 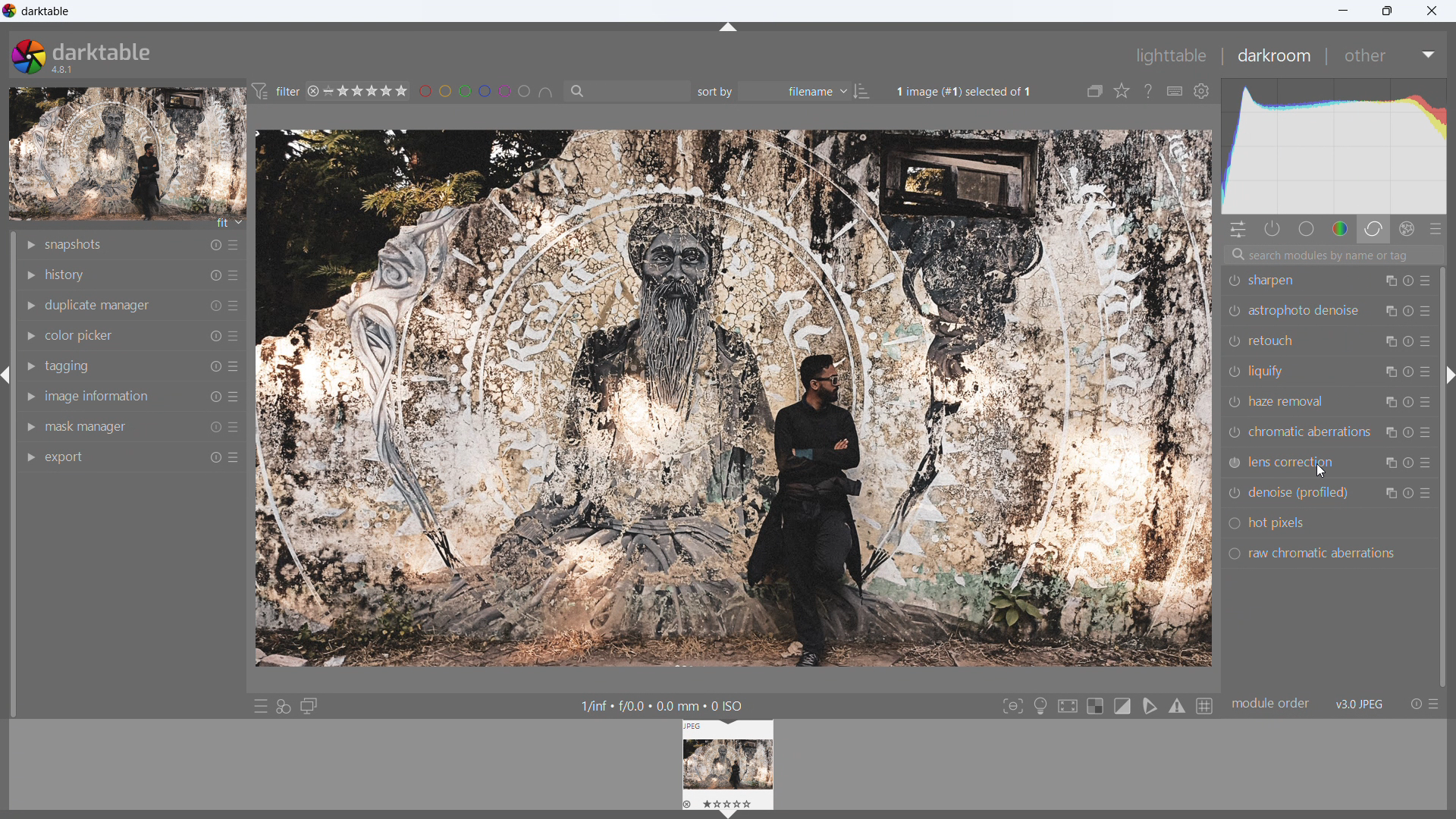 What do you see at coordinates (863, 91) in the screenshot?
I see `ascending/descending` at bounding box center [863, 91].